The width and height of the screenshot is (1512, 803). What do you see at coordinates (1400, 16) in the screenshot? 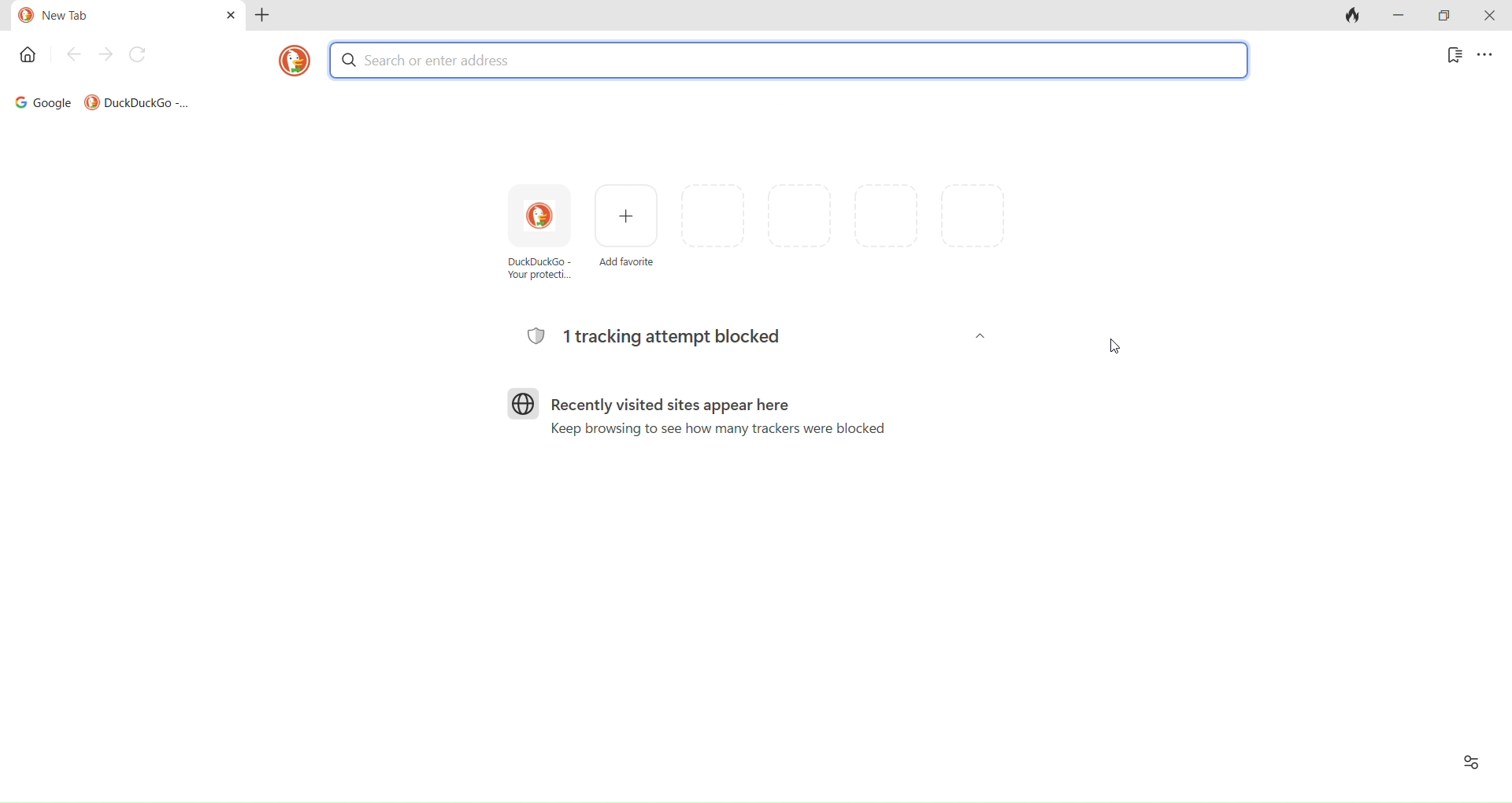
I see `minimize` at bounding box center [1400, 16].